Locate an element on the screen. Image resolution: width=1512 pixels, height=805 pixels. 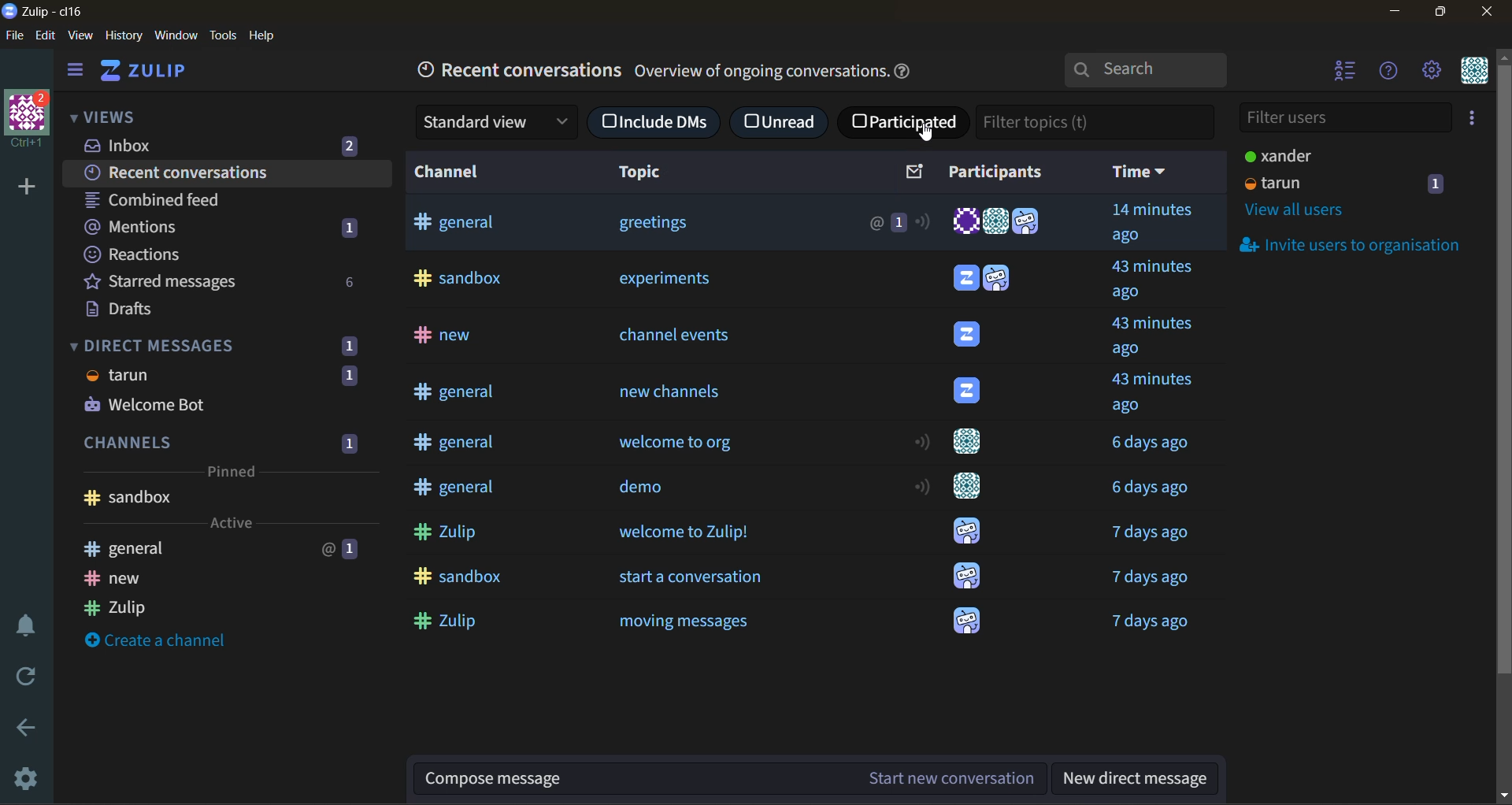
general is located at coordinates (457, 221).